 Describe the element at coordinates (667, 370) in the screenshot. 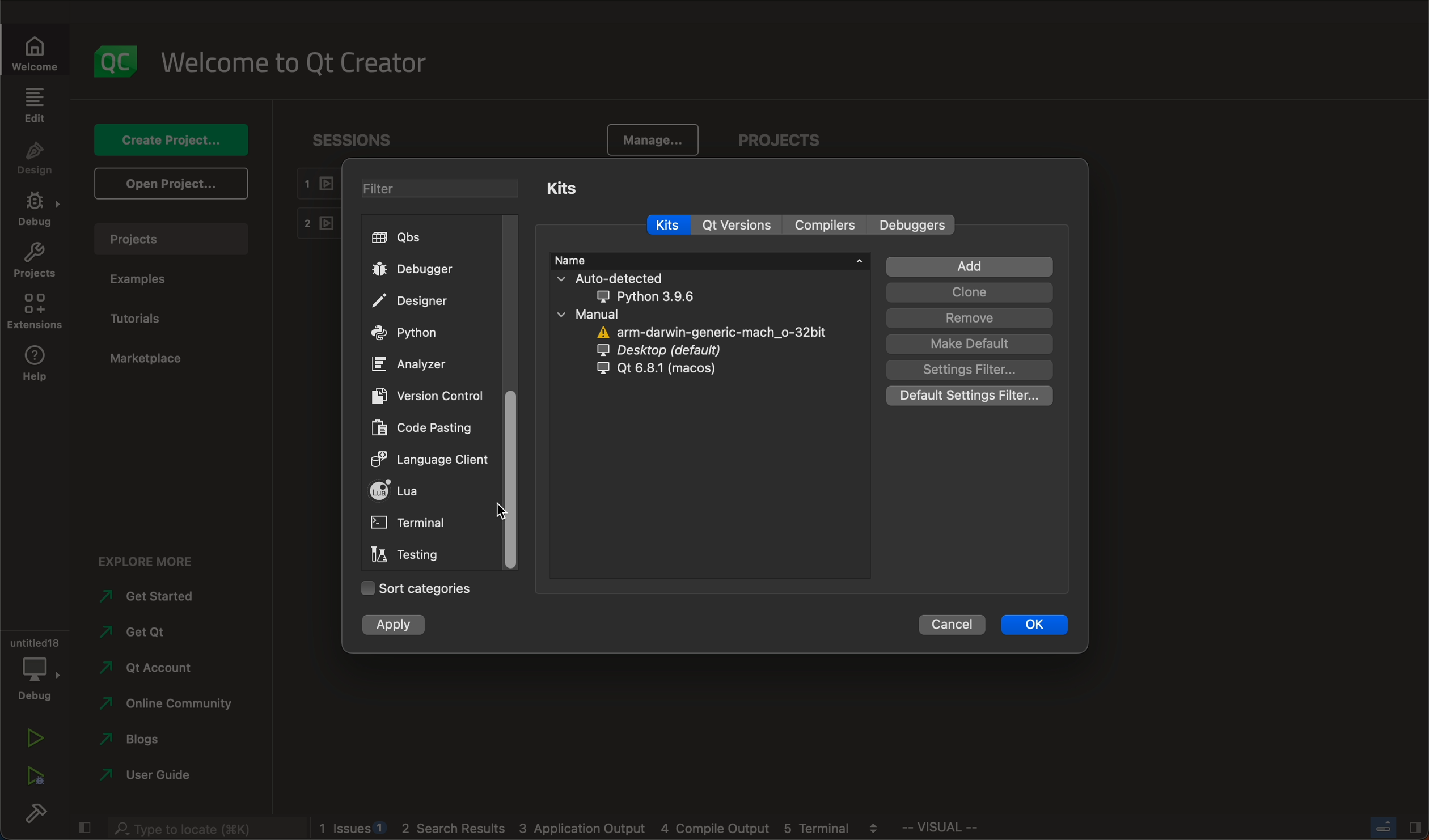

I see `qt` at that location.